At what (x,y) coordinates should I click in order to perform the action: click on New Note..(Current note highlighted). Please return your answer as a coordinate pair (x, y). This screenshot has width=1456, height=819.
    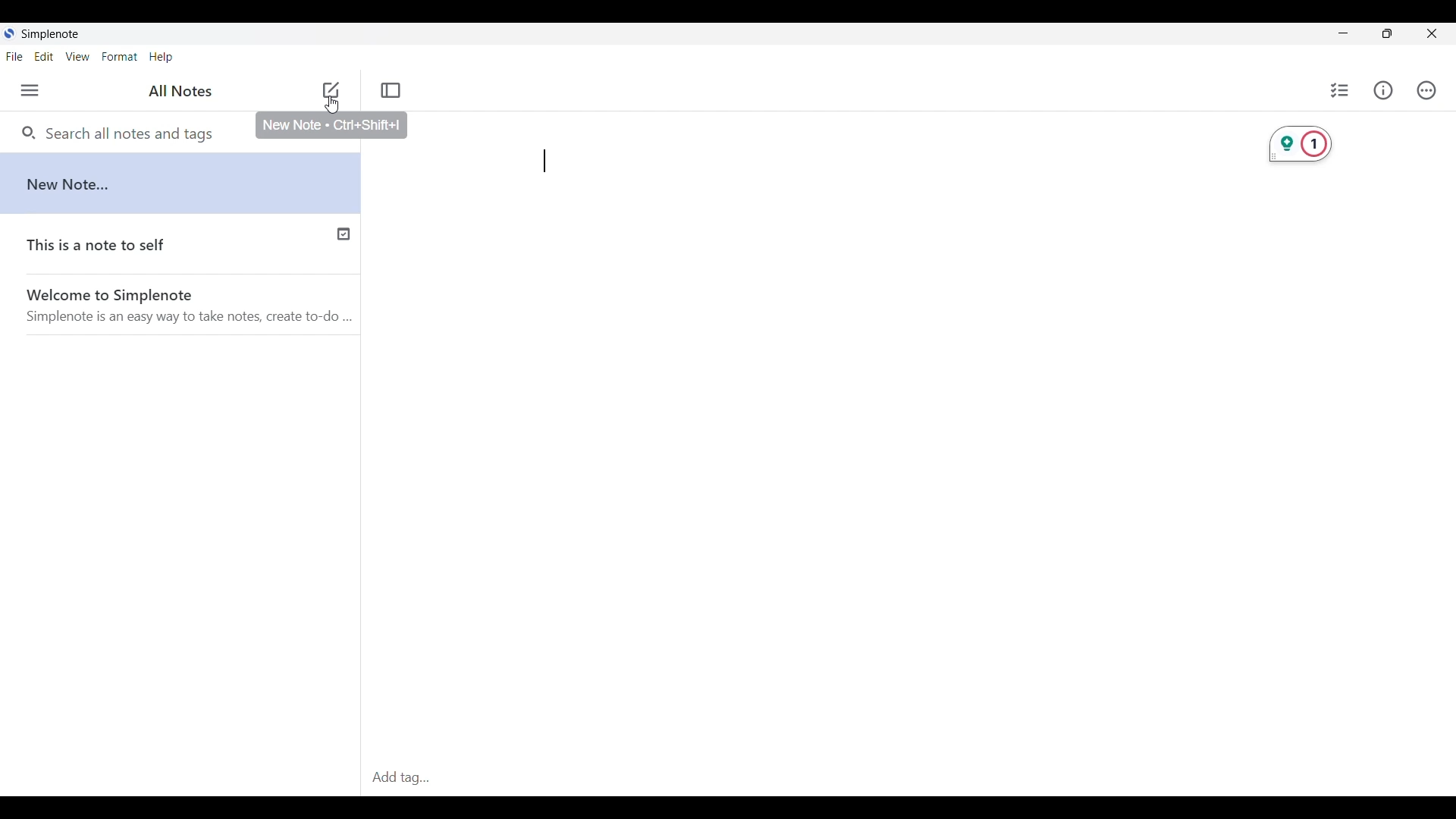
    Looking at the image, I should click on (180, 182).